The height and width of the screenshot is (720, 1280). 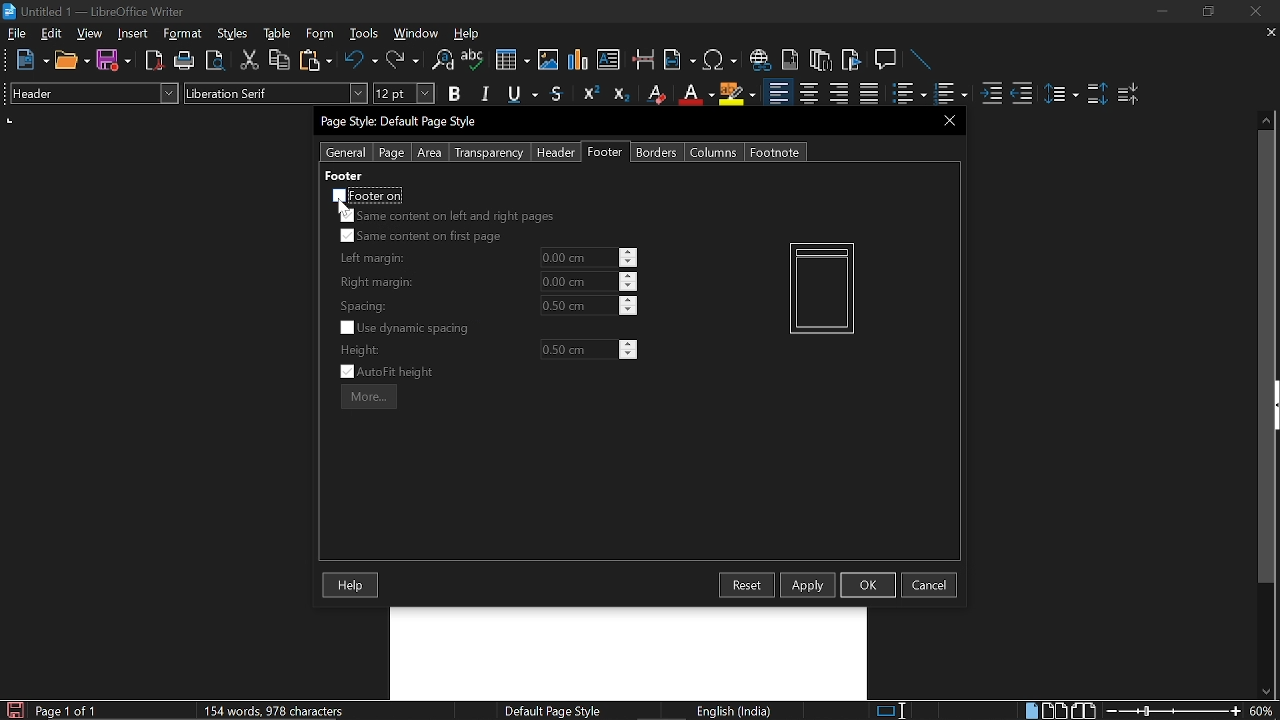 I want to click on Current pageview, so click(x=822, y=288).